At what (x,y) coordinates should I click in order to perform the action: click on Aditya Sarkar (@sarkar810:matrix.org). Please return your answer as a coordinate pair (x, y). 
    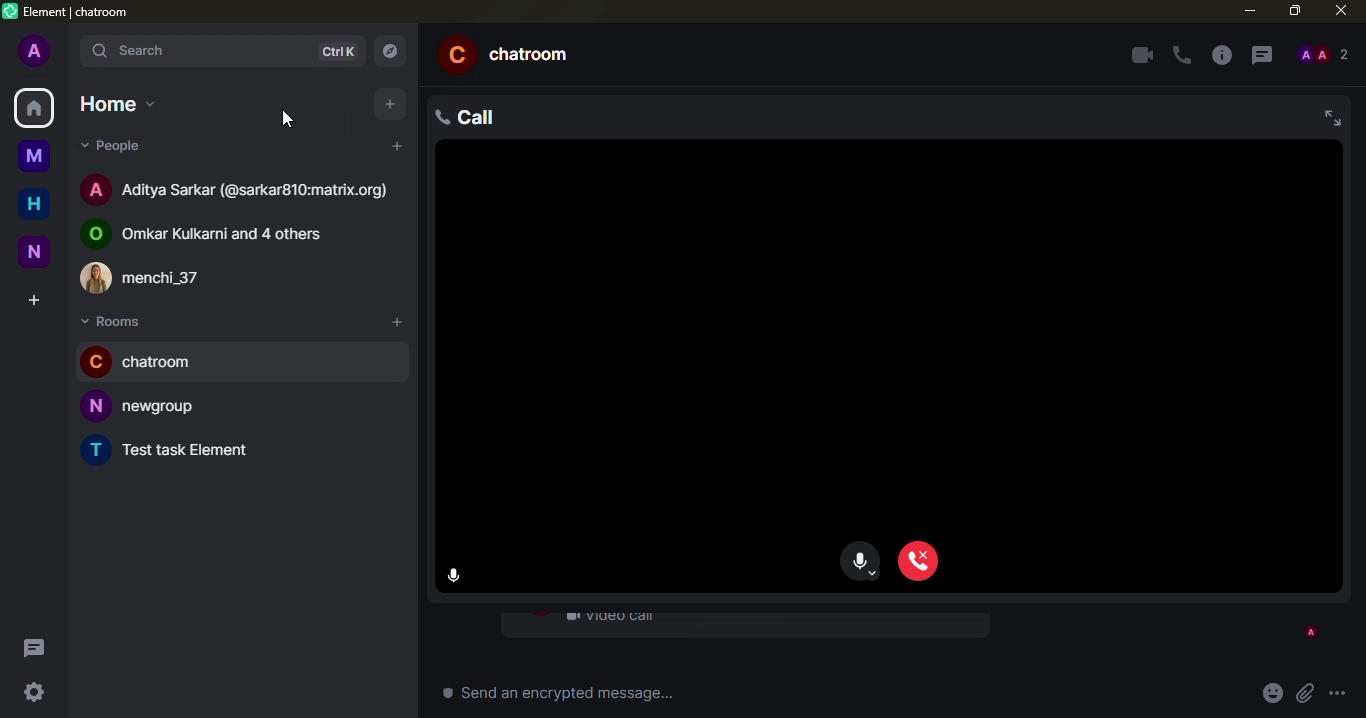
    Looking at the image, I should click on (240, 191).